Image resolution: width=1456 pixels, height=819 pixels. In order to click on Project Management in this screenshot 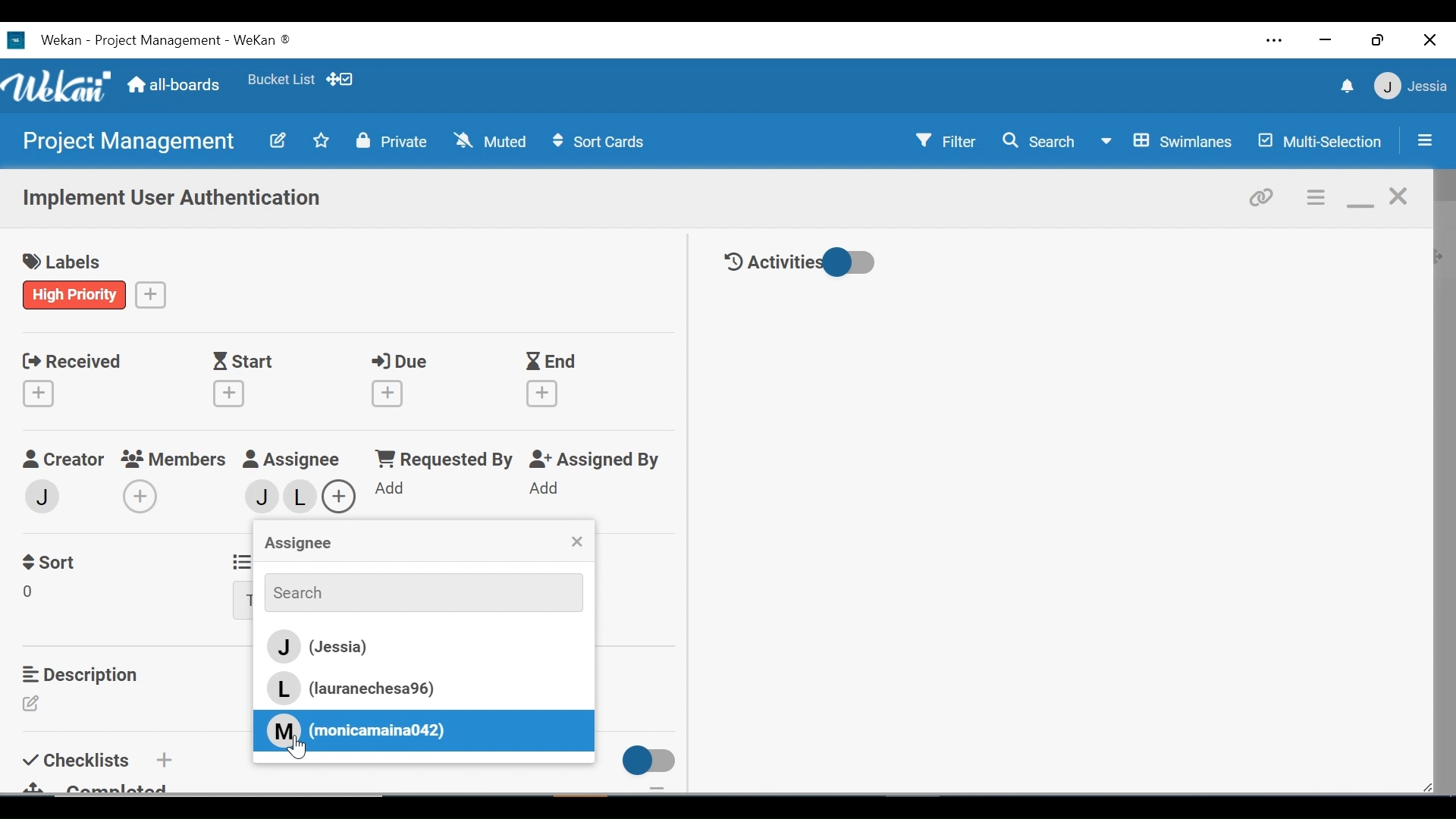, I will do `click(126, 142)`.